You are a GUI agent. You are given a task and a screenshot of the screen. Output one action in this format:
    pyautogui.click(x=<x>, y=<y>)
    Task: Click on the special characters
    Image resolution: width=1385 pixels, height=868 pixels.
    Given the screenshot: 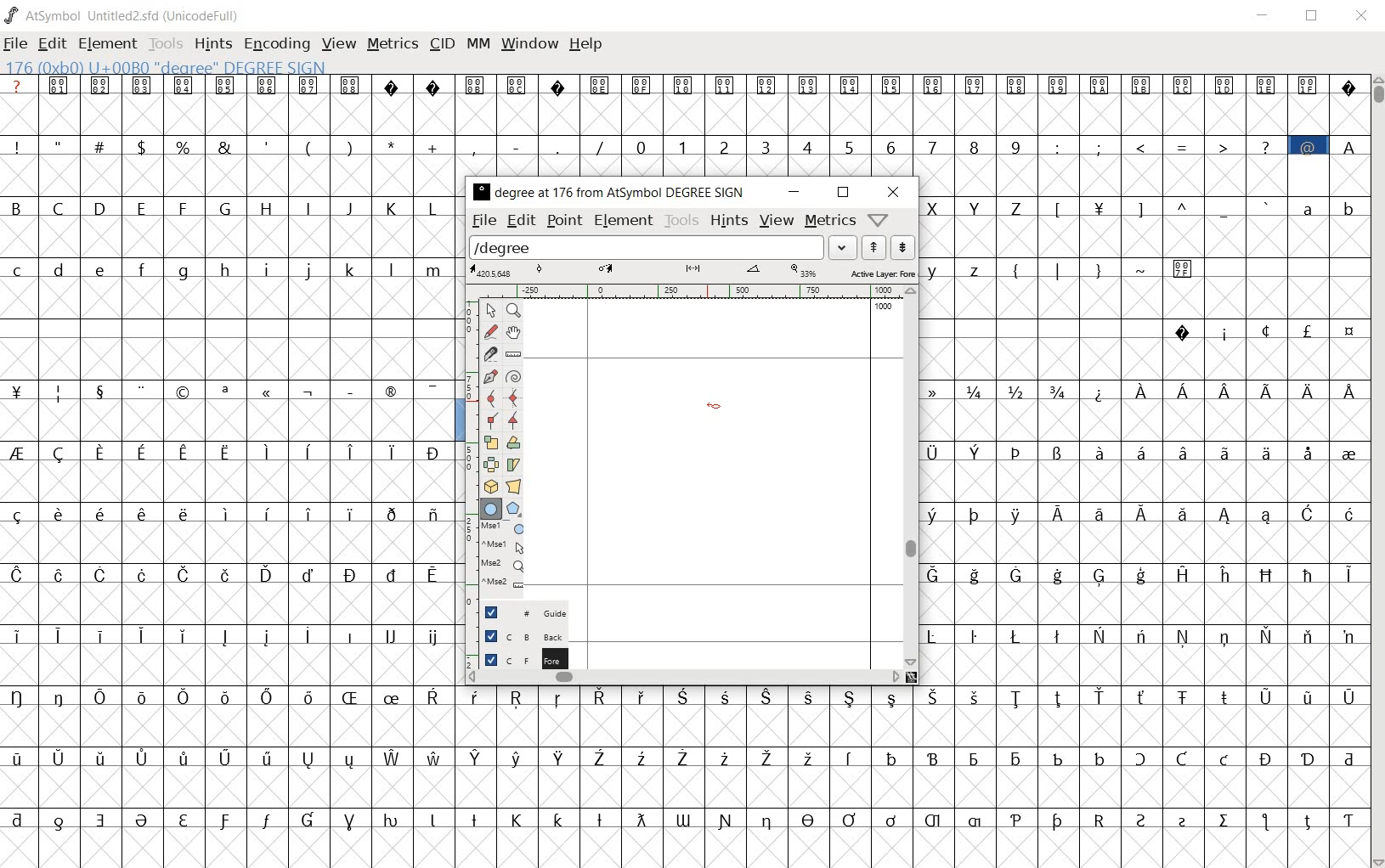 What is the action you would take?
    pyautogui.click(x=1162, y=146)
    